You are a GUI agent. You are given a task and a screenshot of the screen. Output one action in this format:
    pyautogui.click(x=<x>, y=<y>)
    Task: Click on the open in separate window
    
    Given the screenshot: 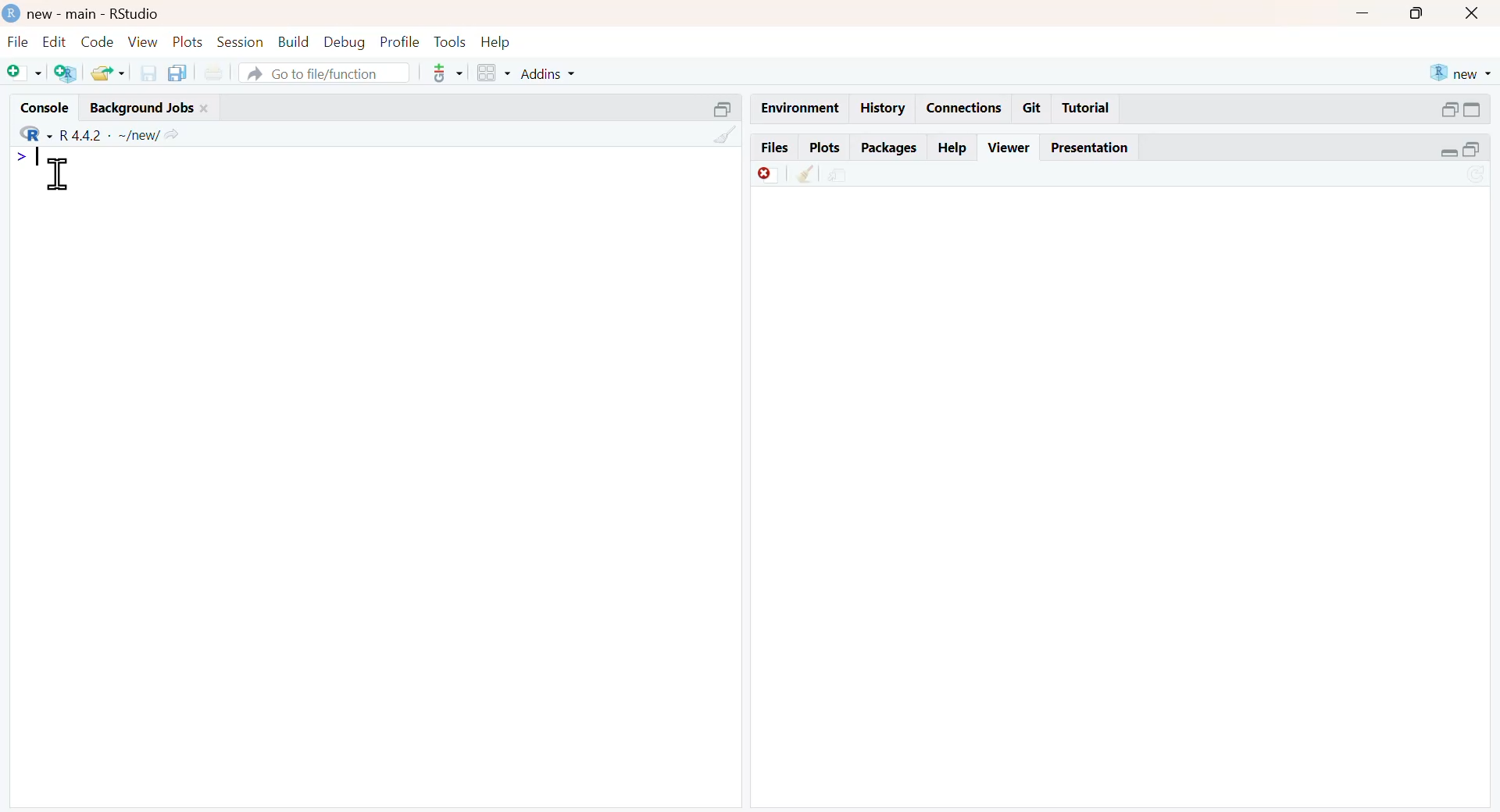 What is the action you would take?
    pyautogui.click(x=1448, y=109)
    